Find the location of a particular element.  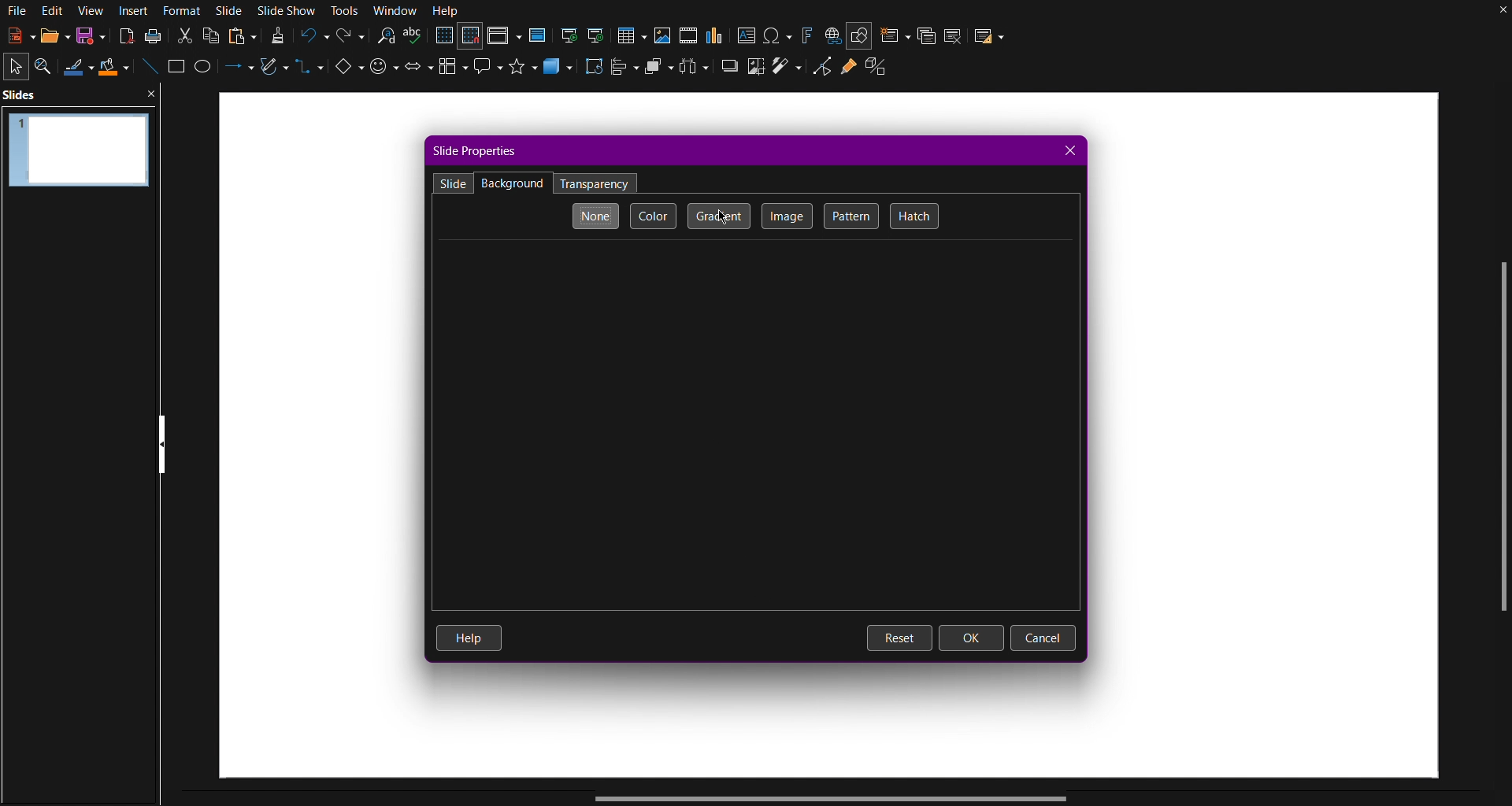

Fontworks is located at coordinates (806, 34).